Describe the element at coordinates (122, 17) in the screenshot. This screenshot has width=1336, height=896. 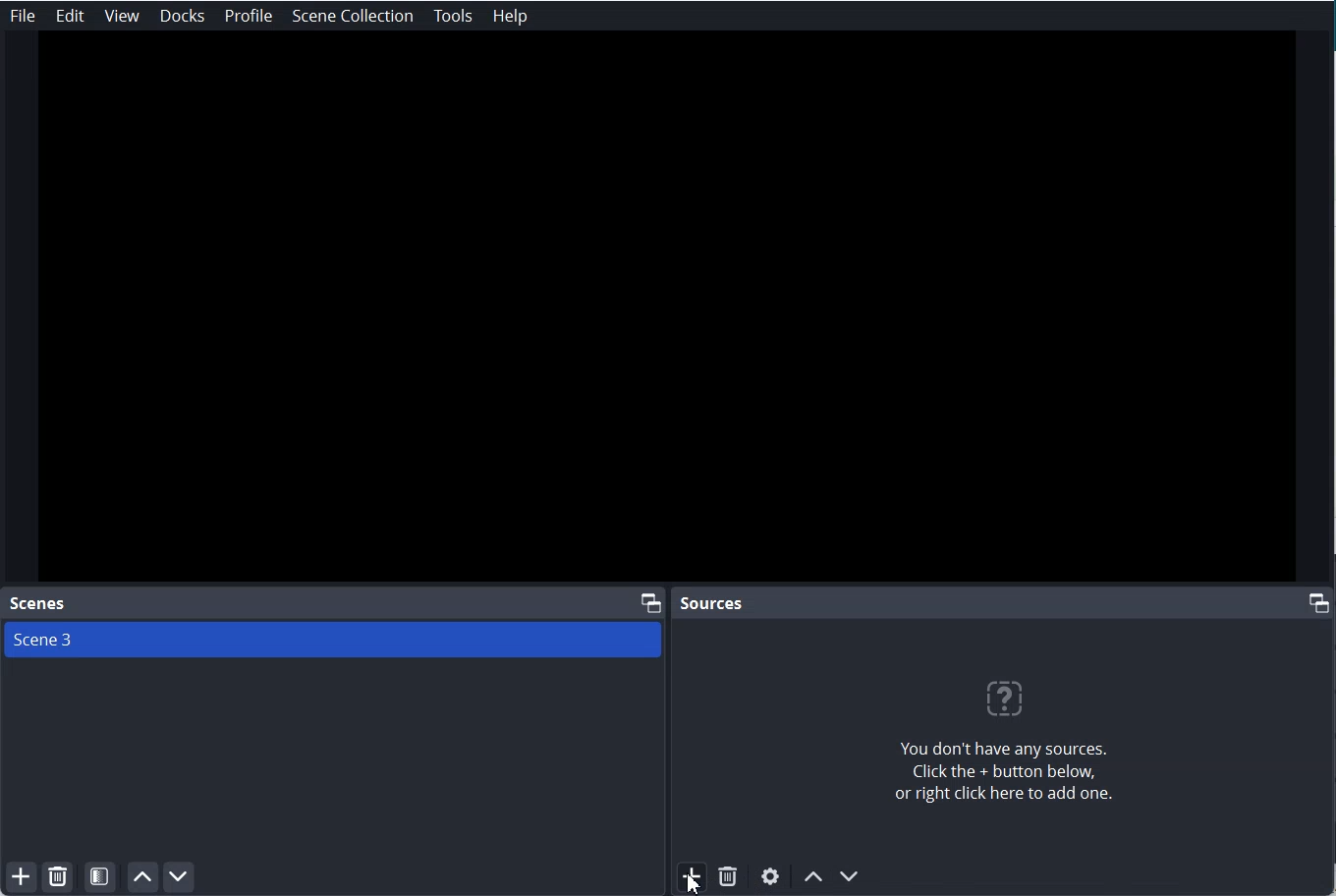
I see `View` at that location.